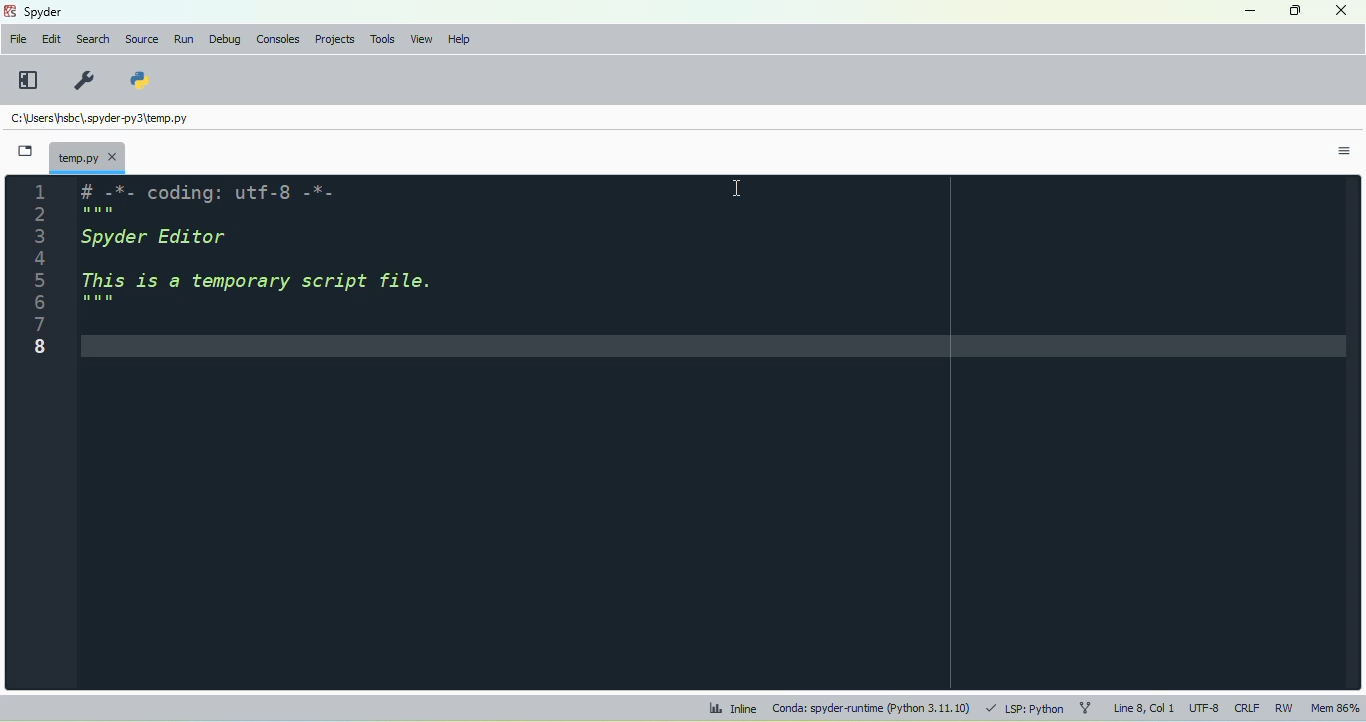  What do you see at coordinates (1340, 9) in the screenshot?
I see `close` at bounding box center [1340, 9].